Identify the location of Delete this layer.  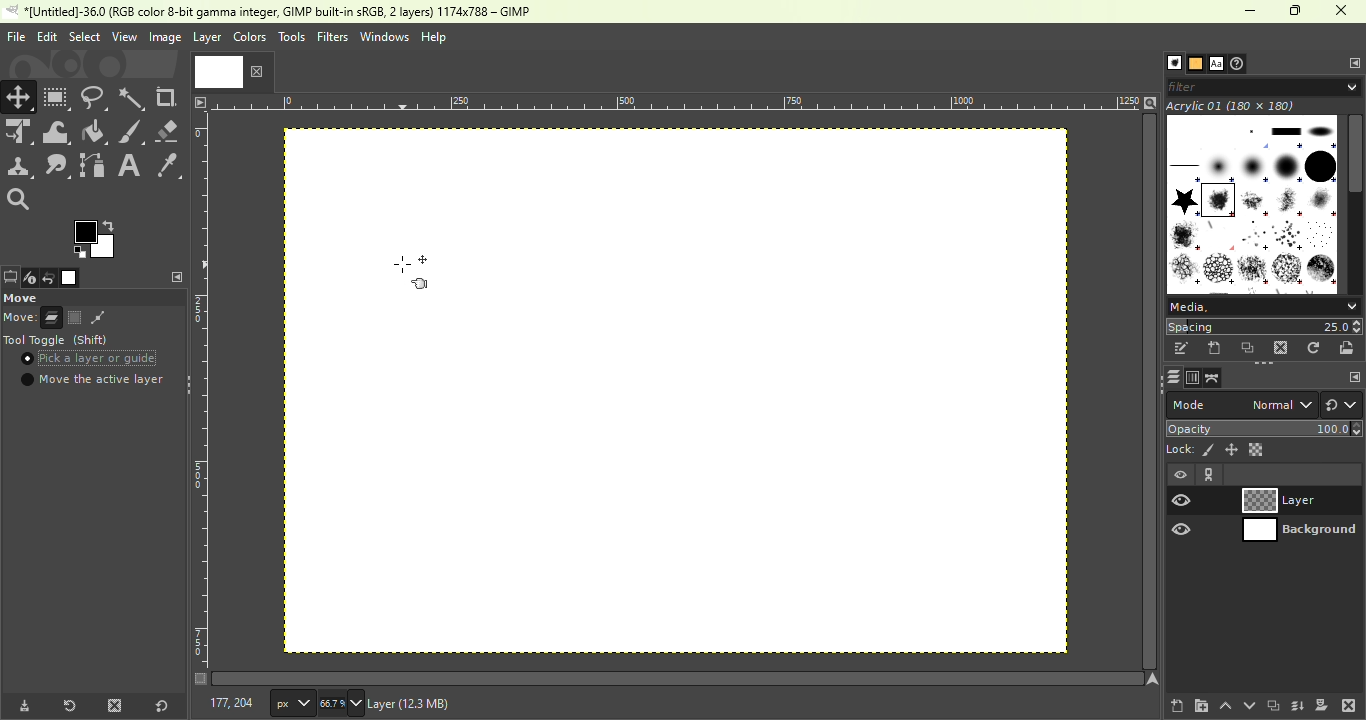
(1349, 704).